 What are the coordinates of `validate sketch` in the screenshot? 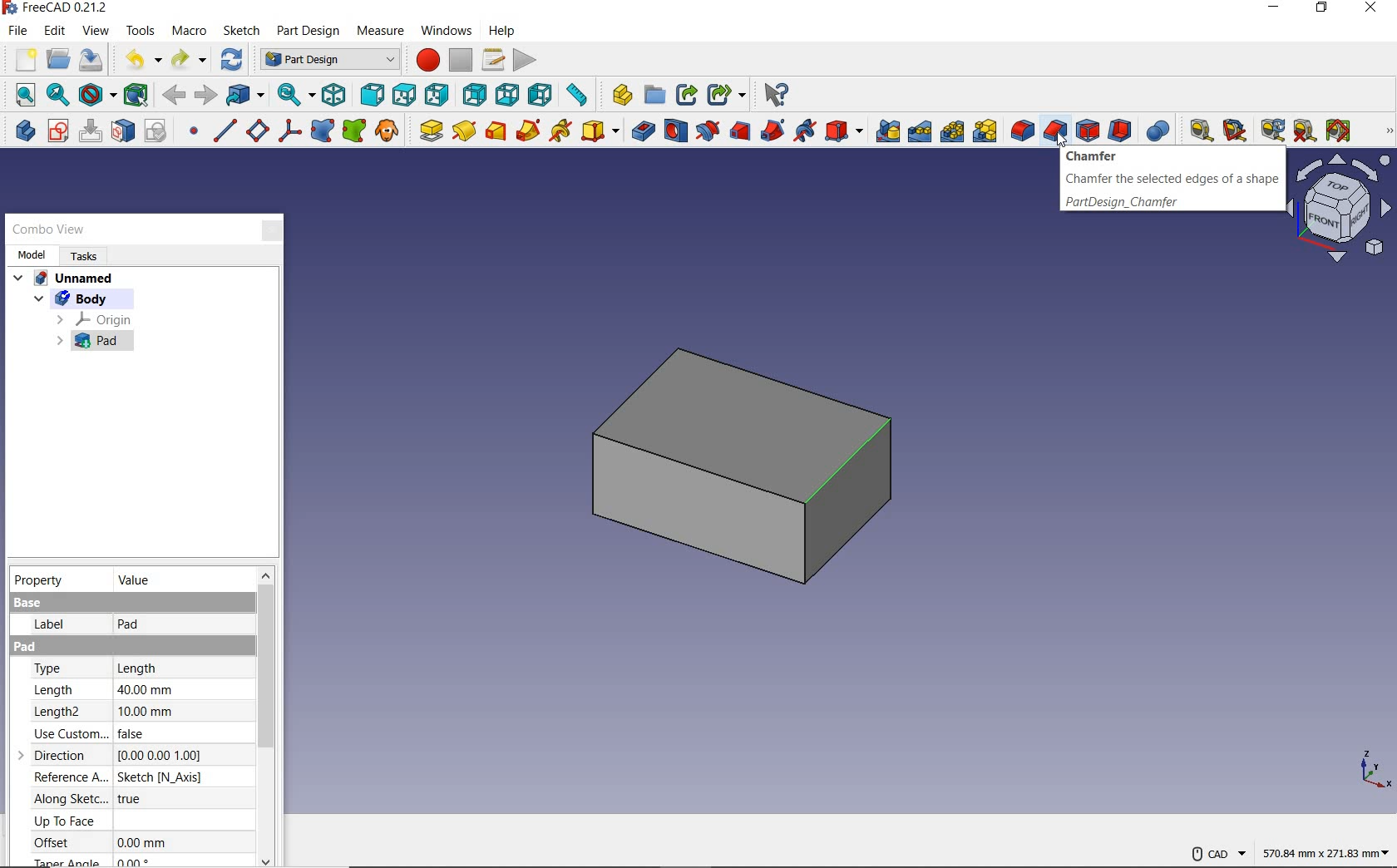 It's located at (158, 131).